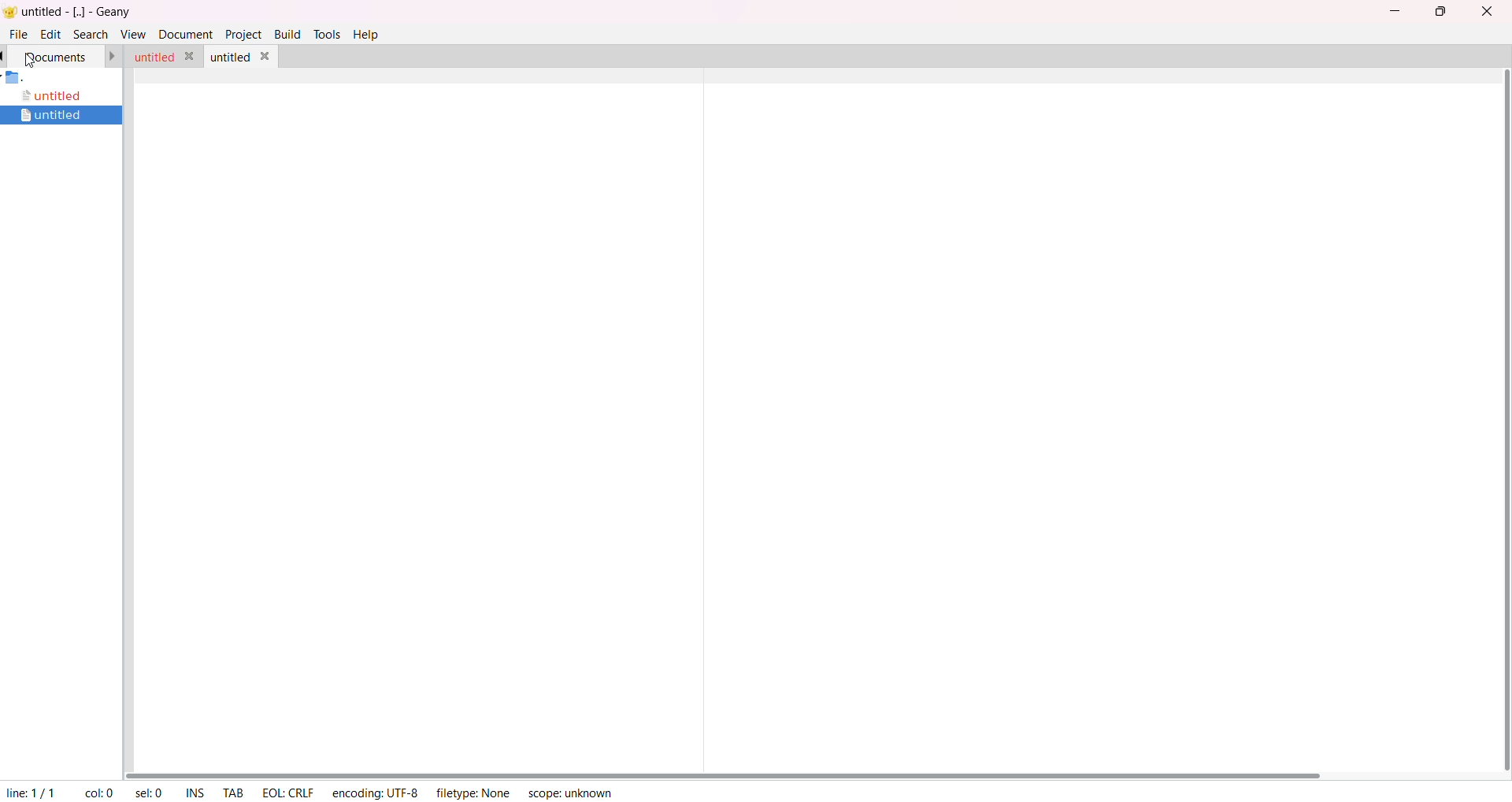 The height and width of the screenshot is (802, 1512). Describe the element at coordinates (79, 9) in the screenshot. I see `untitied - [..] - Geany` at that location.